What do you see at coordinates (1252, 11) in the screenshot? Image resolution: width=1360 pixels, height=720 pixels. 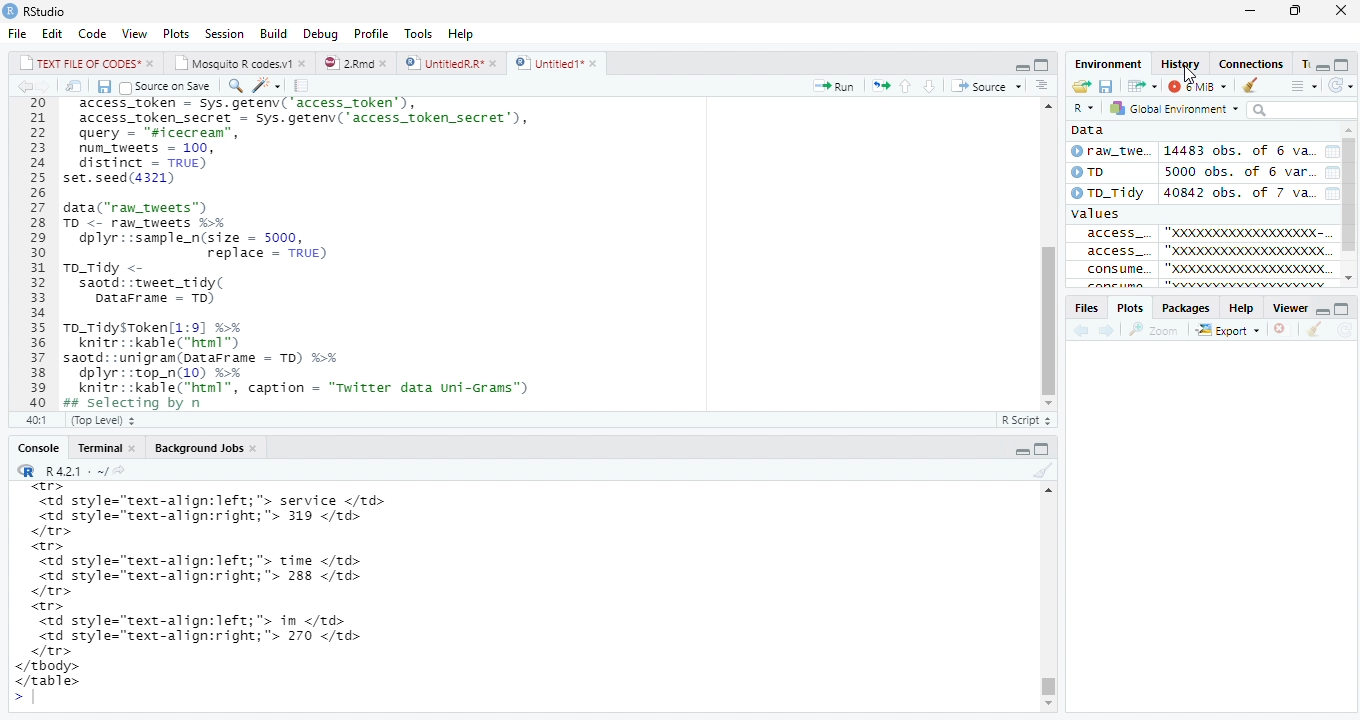 I see `minimize` at bounding box center [1252, 11].